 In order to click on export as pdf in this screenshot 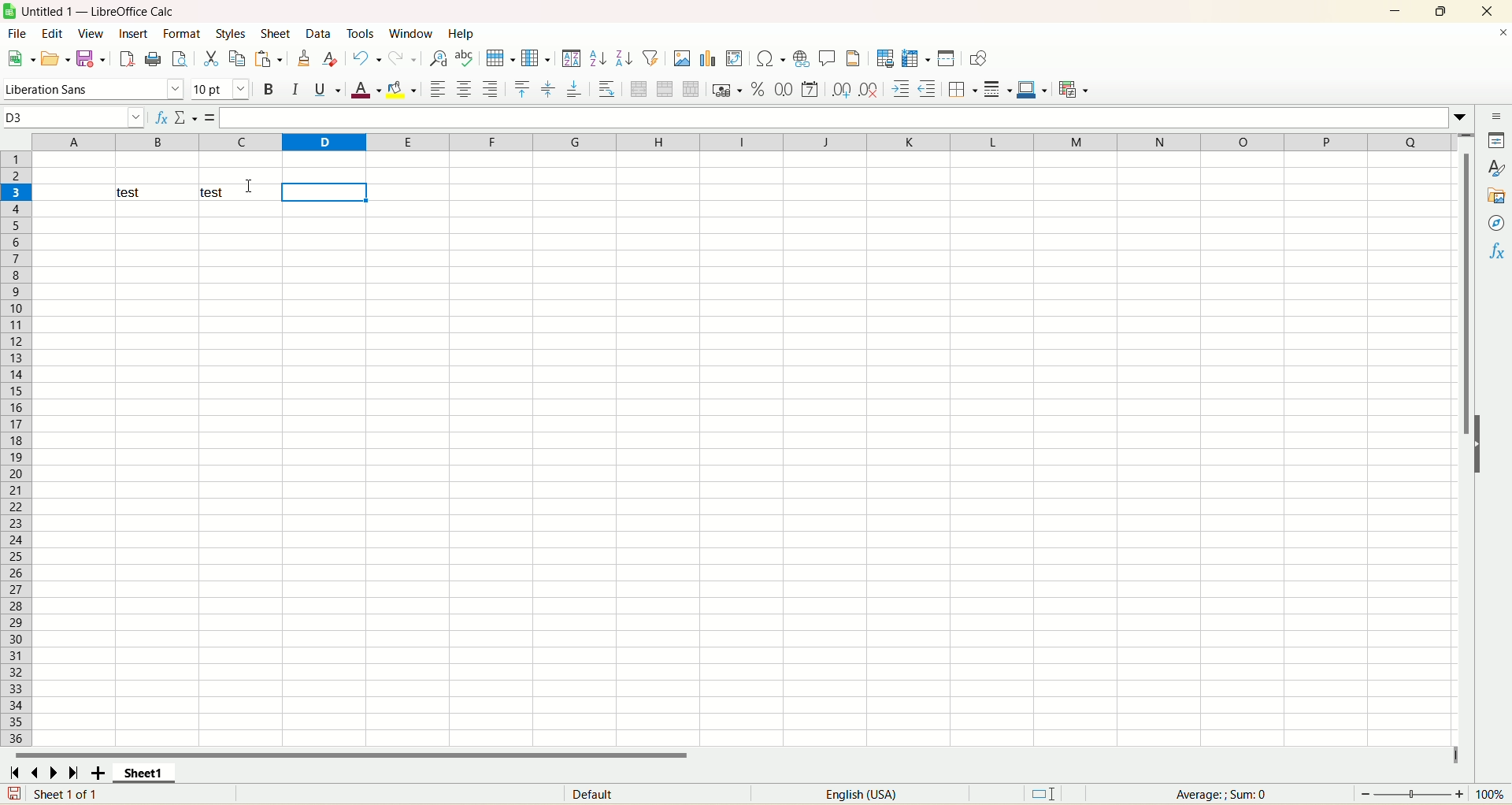, I will do `click(125, 59)`.